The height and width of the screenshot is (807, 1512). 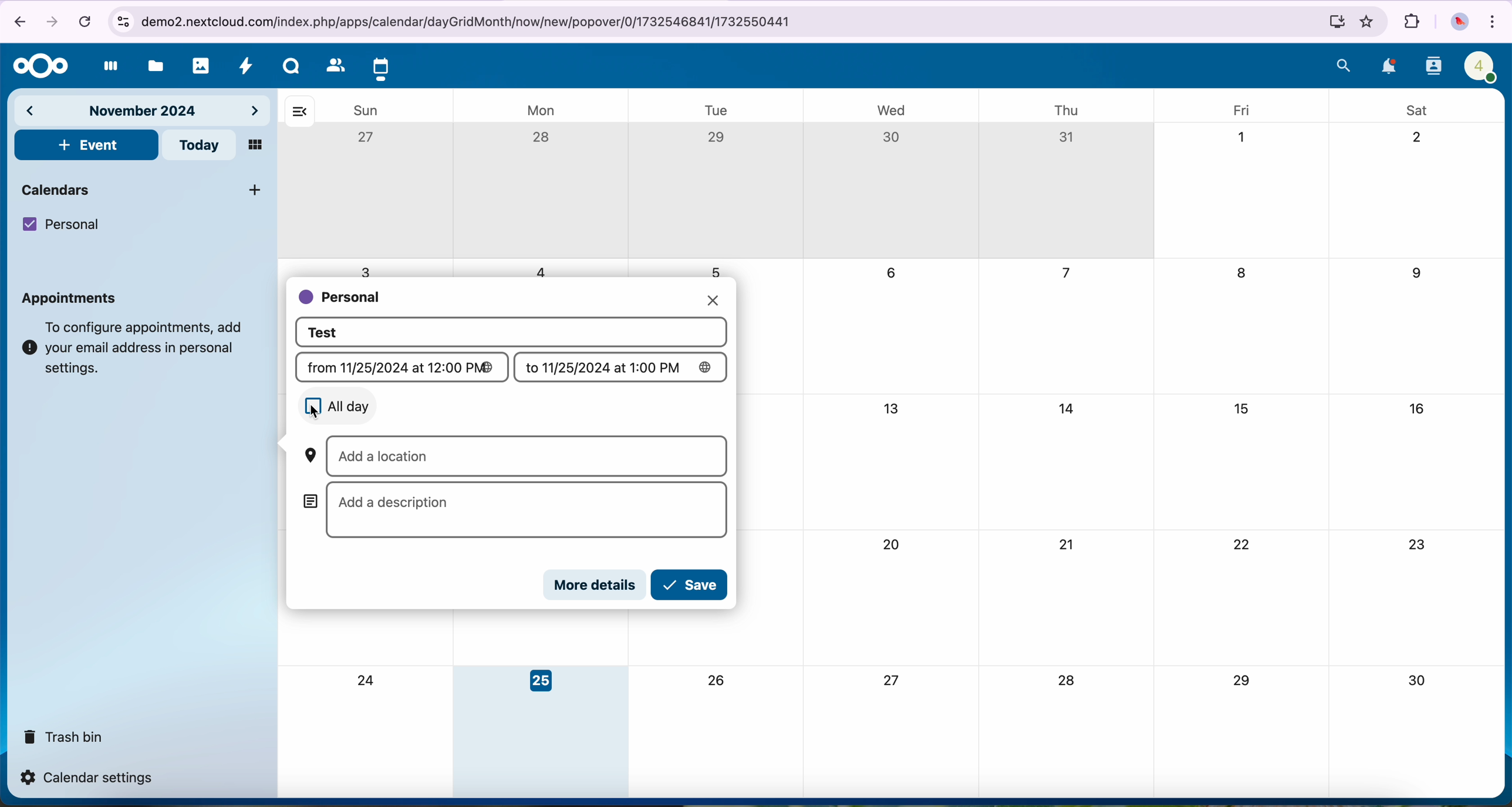 I want to click on dashboard, so click(x=107, y=67).